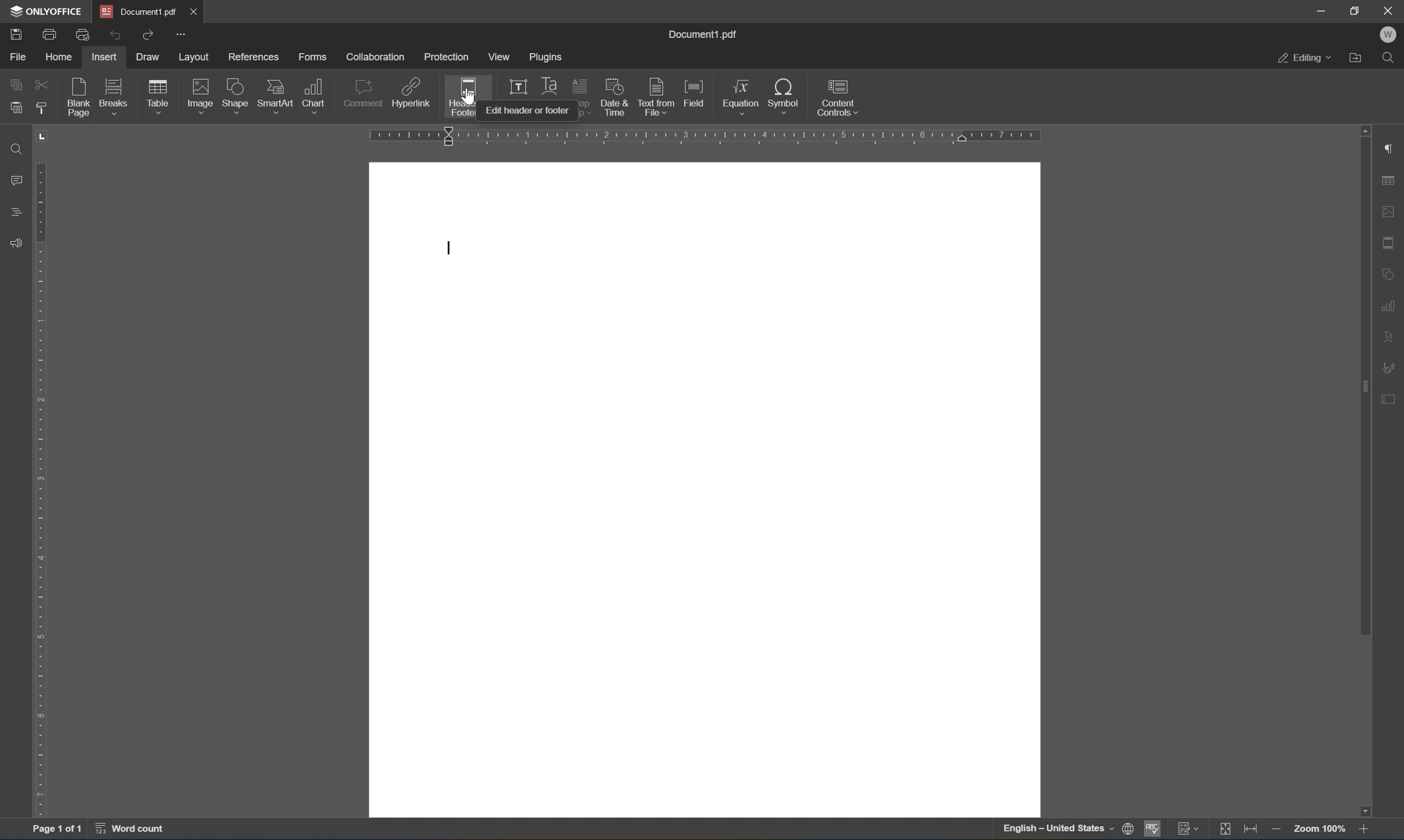 The image size is (1404, 840). Describe the element at coordinates (549, 84) in the screenshot. I see `text art` at that location.